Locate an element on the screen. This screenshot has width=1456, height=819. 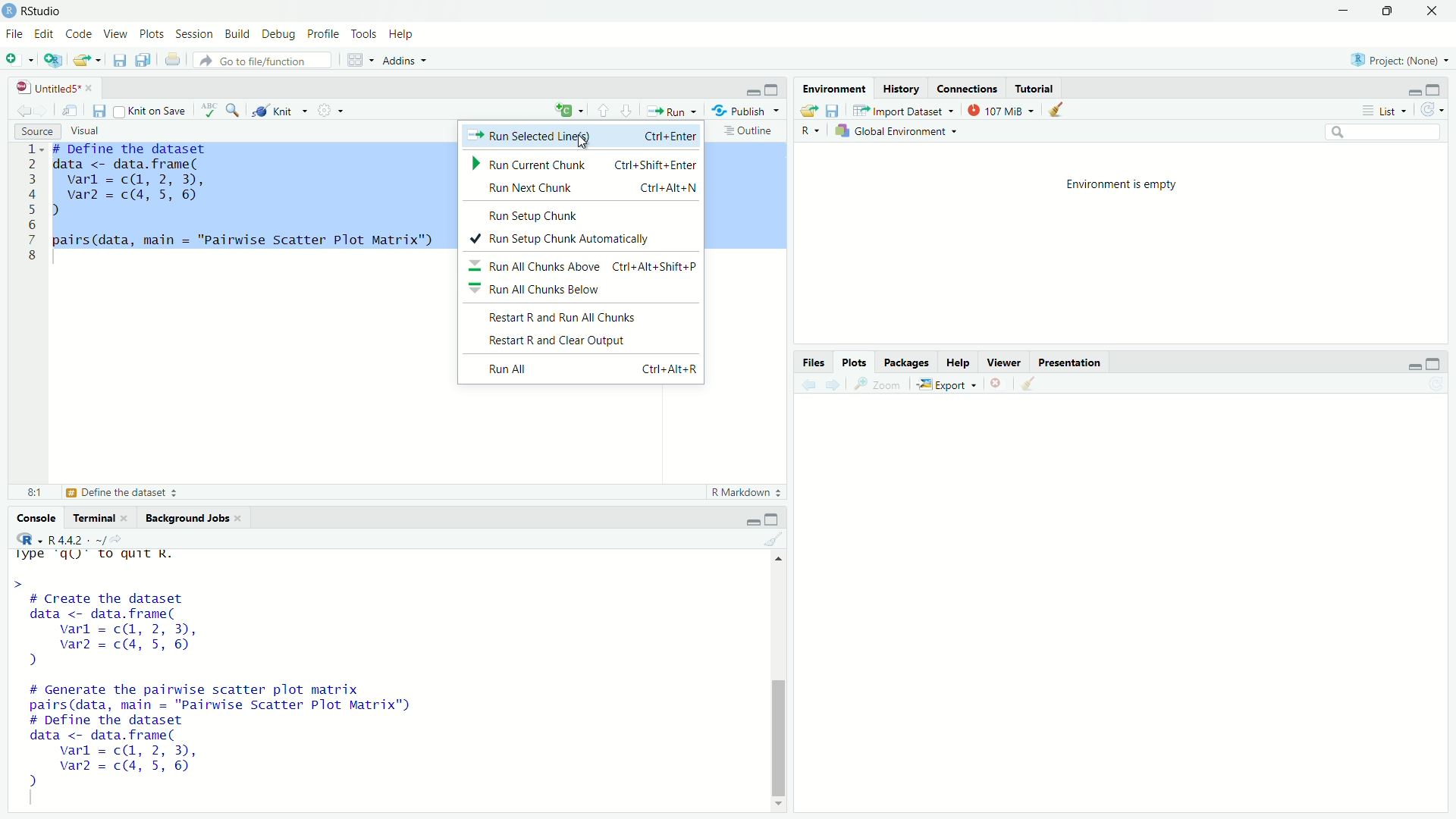
Terminal is located at coordinates (99, 516).